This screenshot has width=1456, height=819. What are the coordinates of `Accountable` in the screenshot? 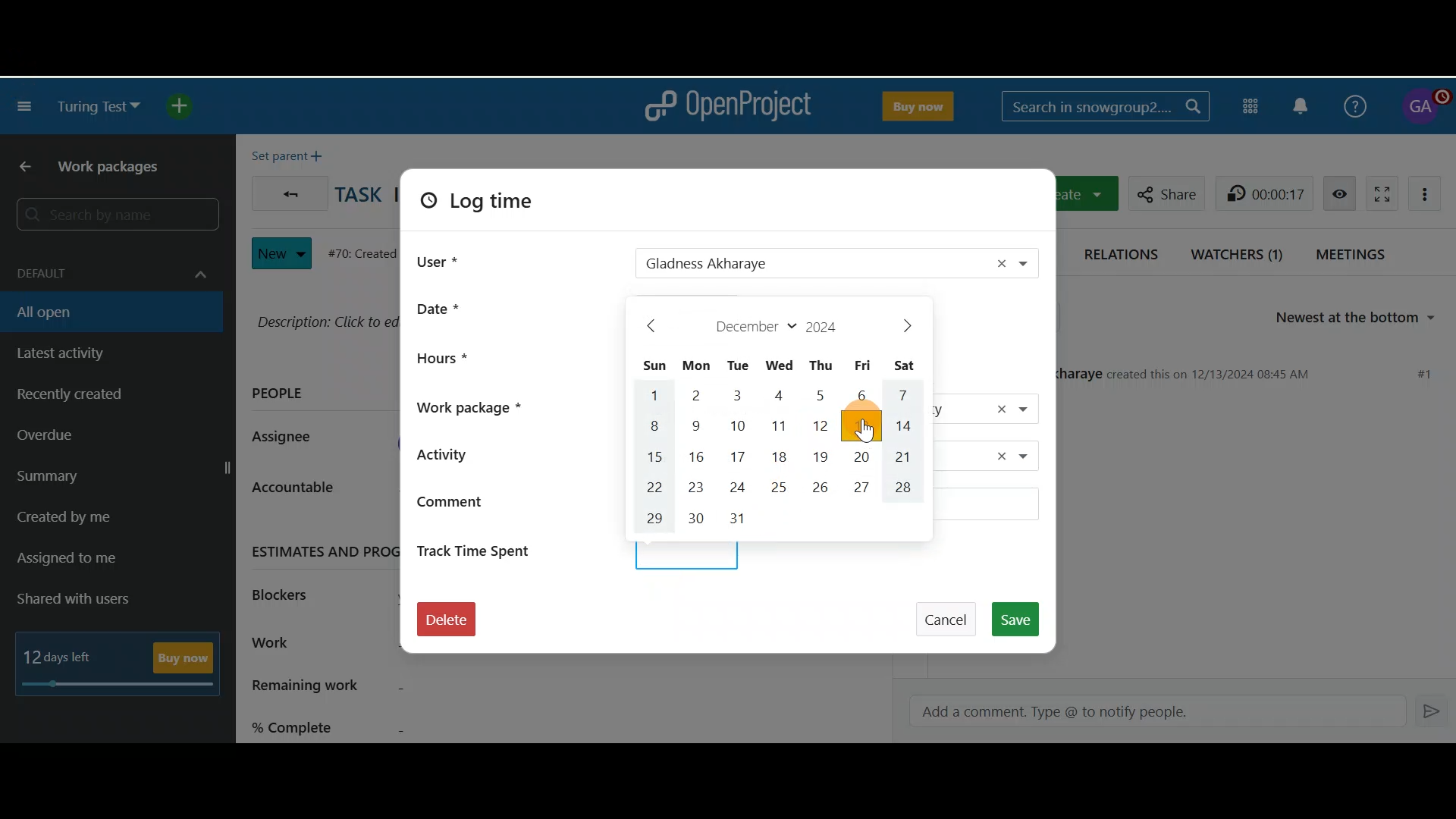 It's located at (306, 493).